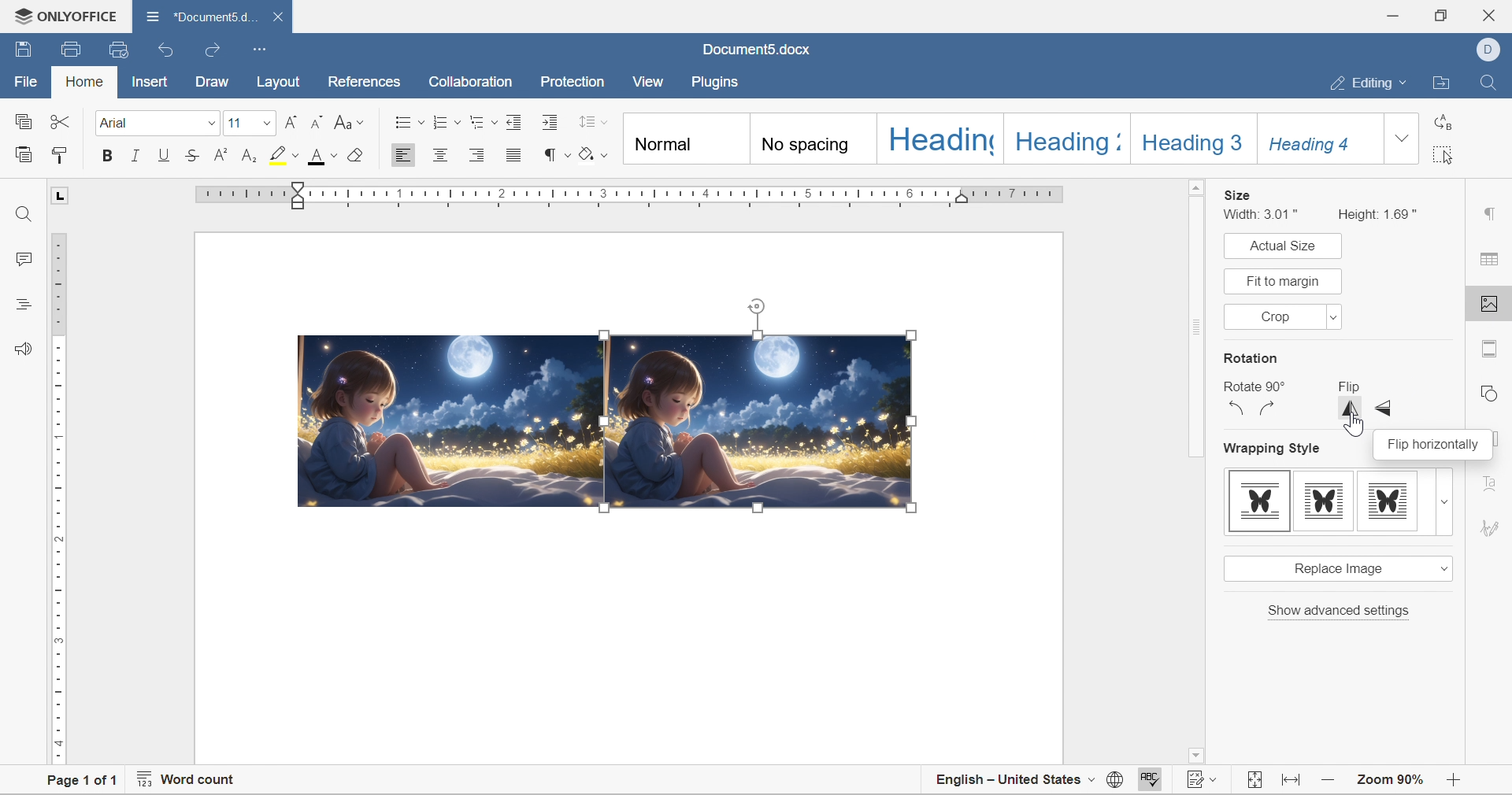  What do you see at coordinates (1264, 214) in the screenshot?
I see `width: 3.01` at bounding box center [1264, 214].